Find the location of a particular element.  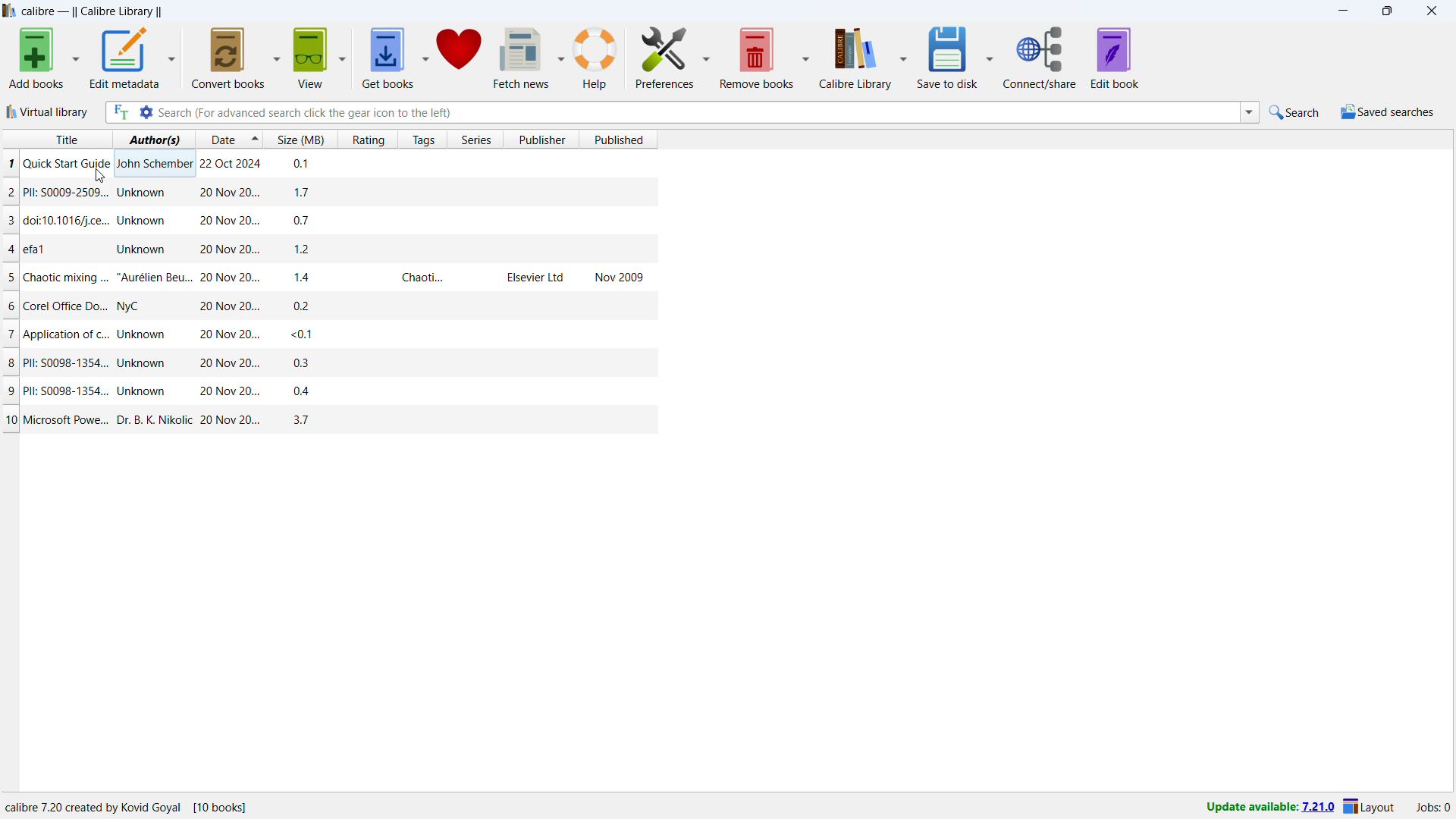

edit metadata options is located at coordinates (172, 57).